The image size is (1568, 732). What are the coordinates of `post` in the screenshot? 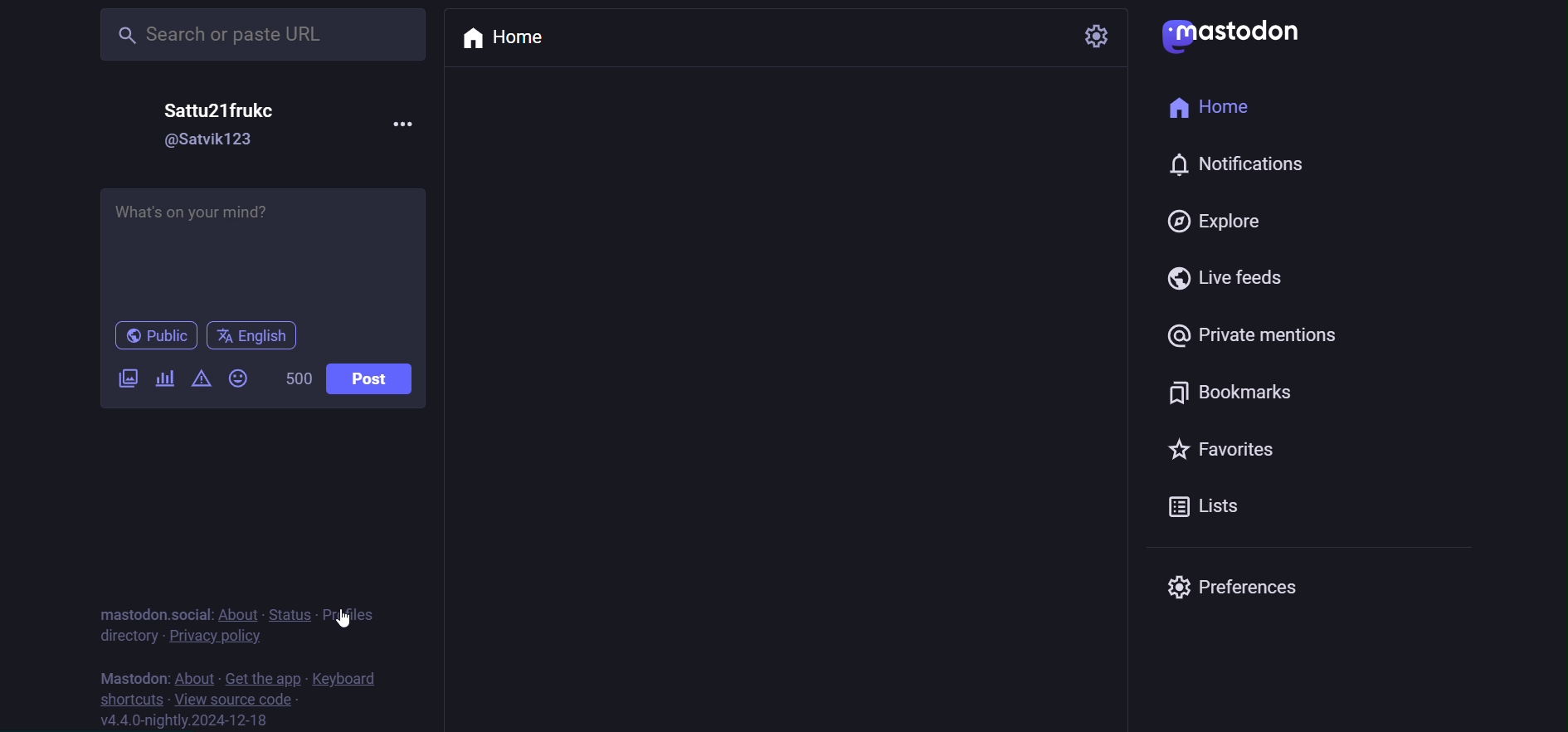 It's located at (369, 373).